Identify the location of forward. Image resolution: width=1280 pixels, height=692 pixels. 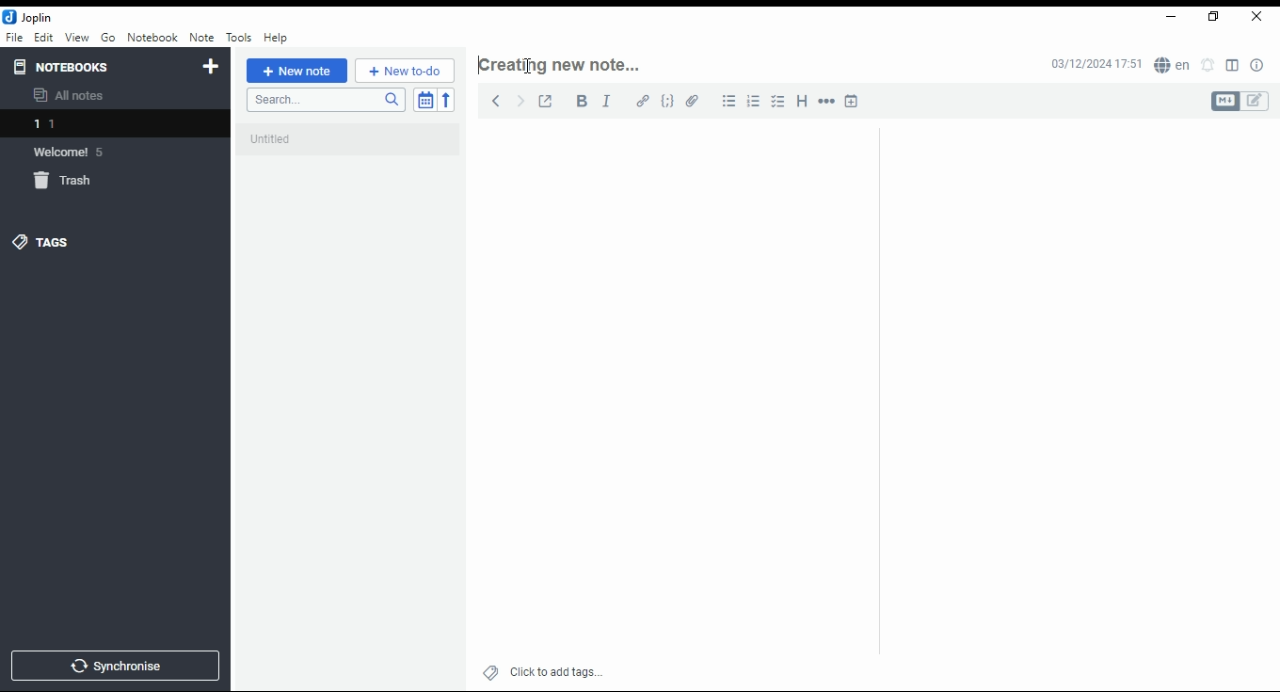
(519, 98).